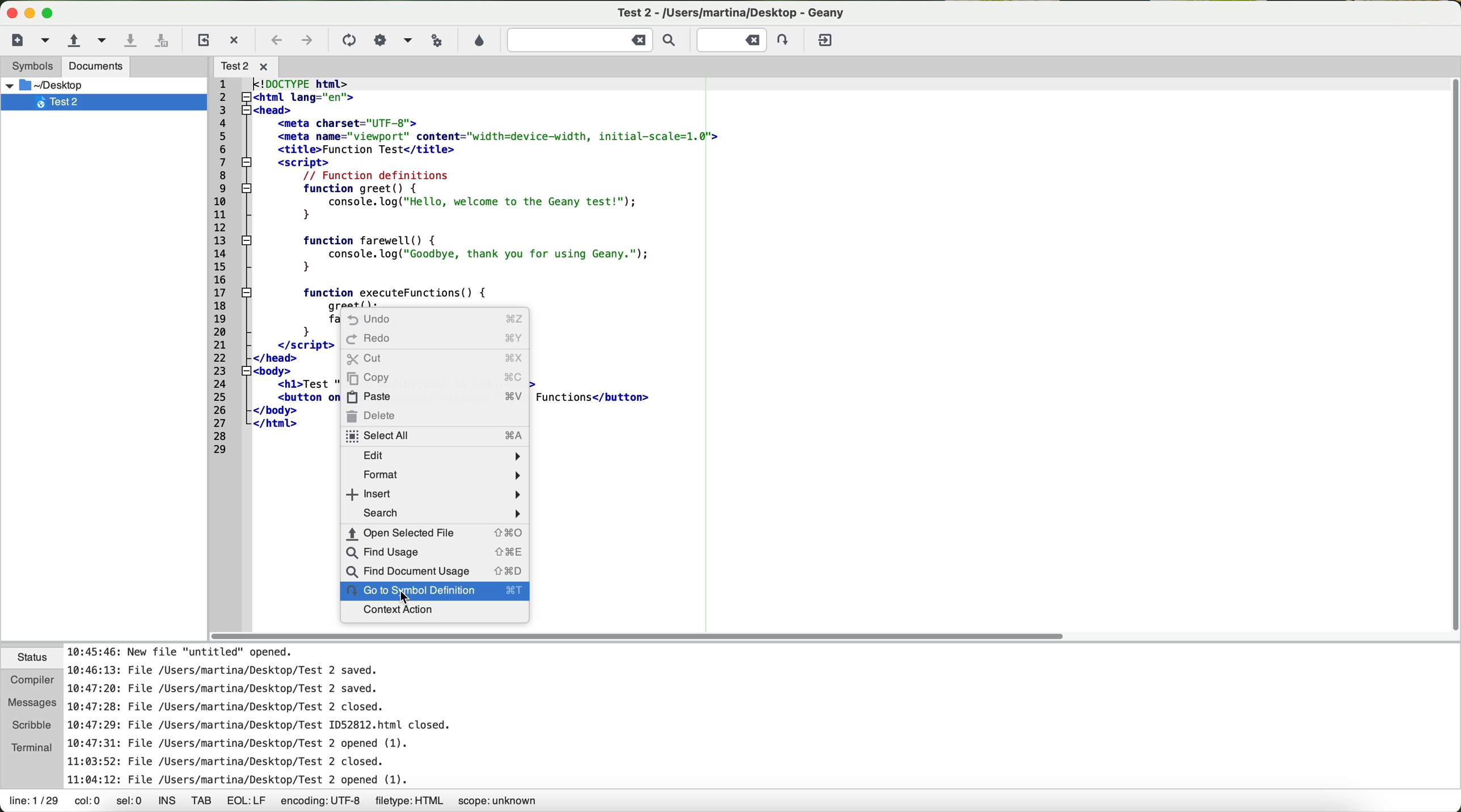 The image size is (1461, 812). Describe the element at coordinates (431, 593) in the screenshot. I see `click on go to symbol definition` at that location.